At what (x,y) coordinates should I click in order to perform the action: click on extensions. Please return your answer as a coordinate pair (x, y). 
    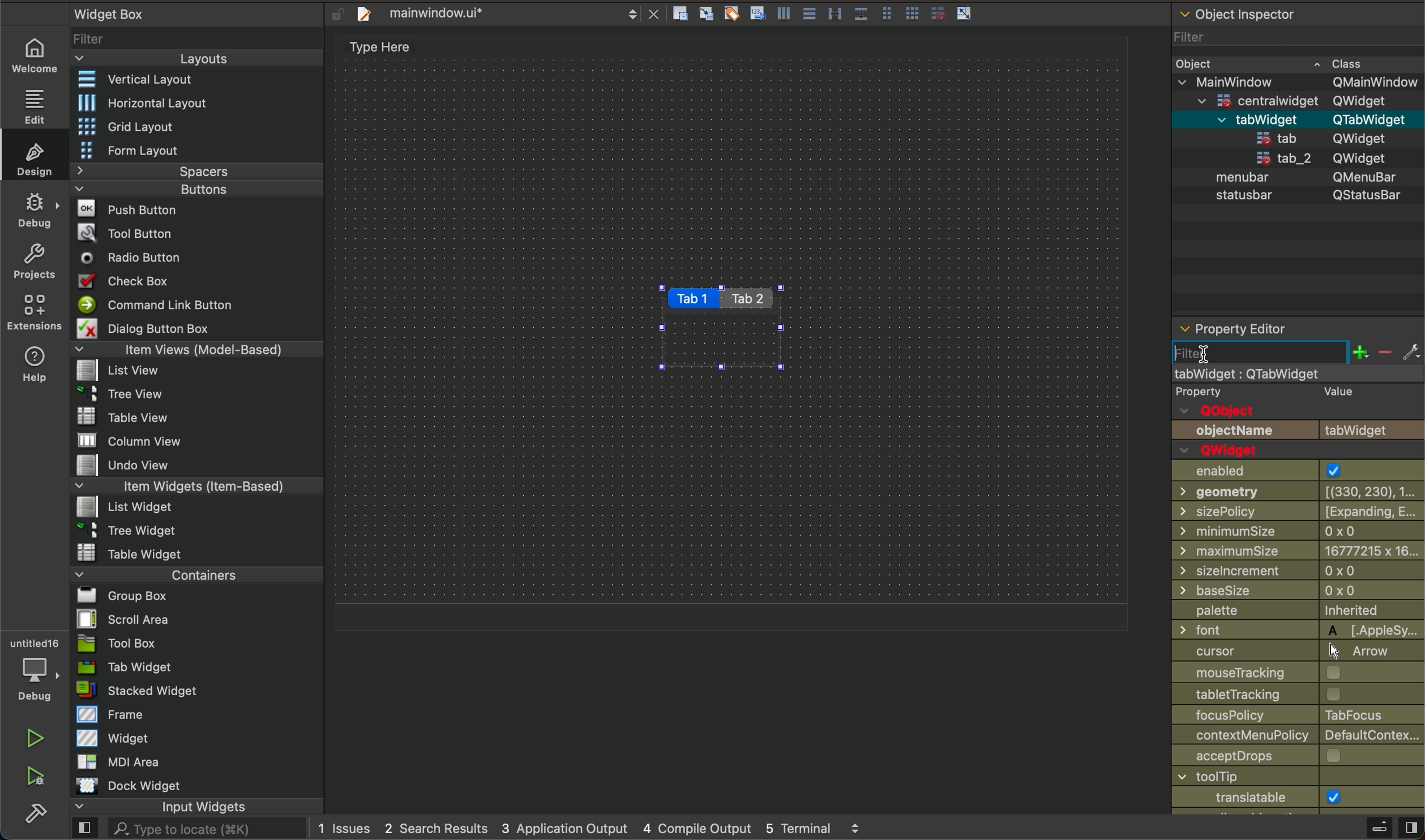
    Looking at the image, I should click on (37, 310).